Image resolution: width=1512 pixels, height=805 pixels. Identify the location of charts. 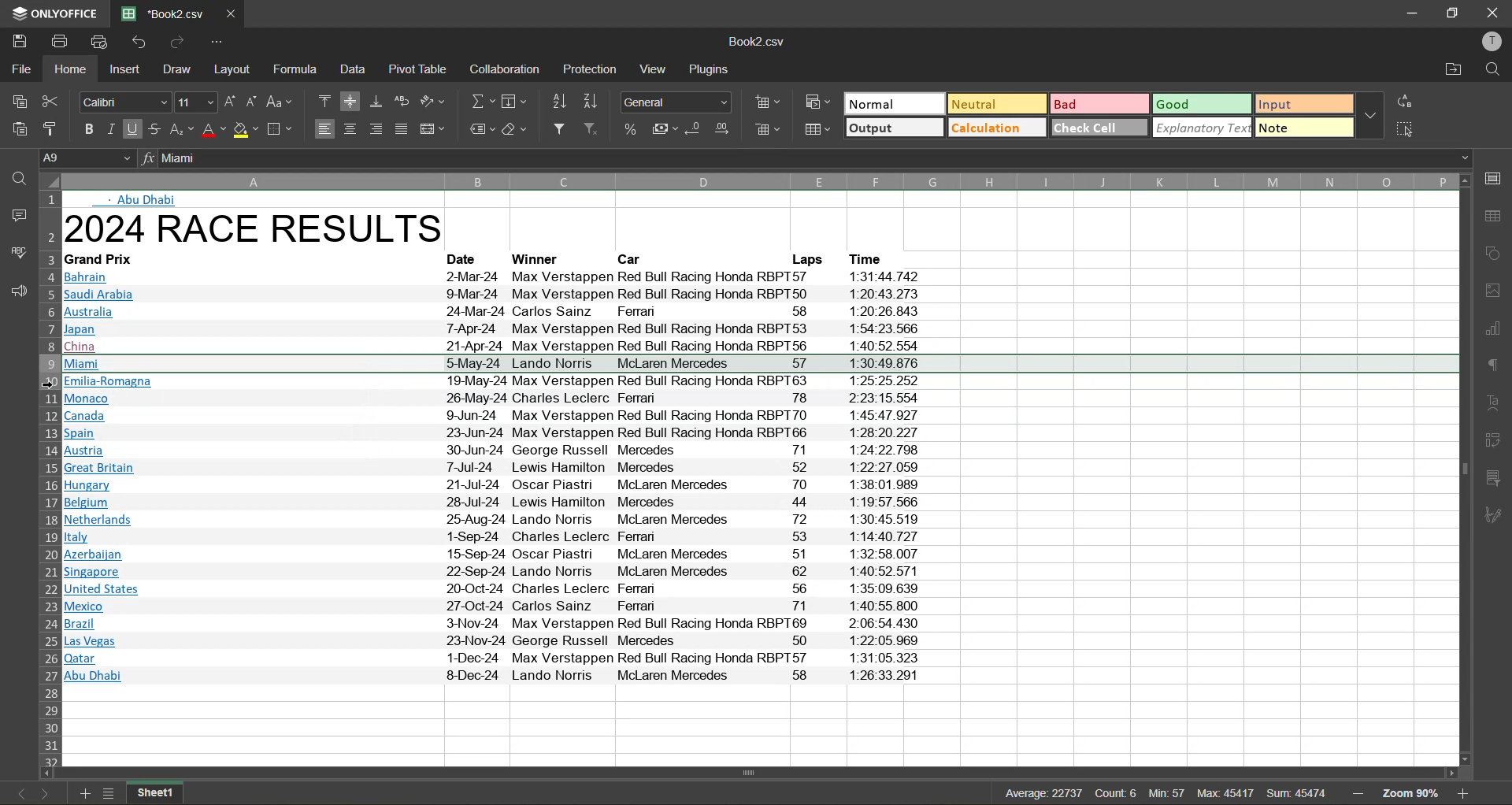
(1498, 332).